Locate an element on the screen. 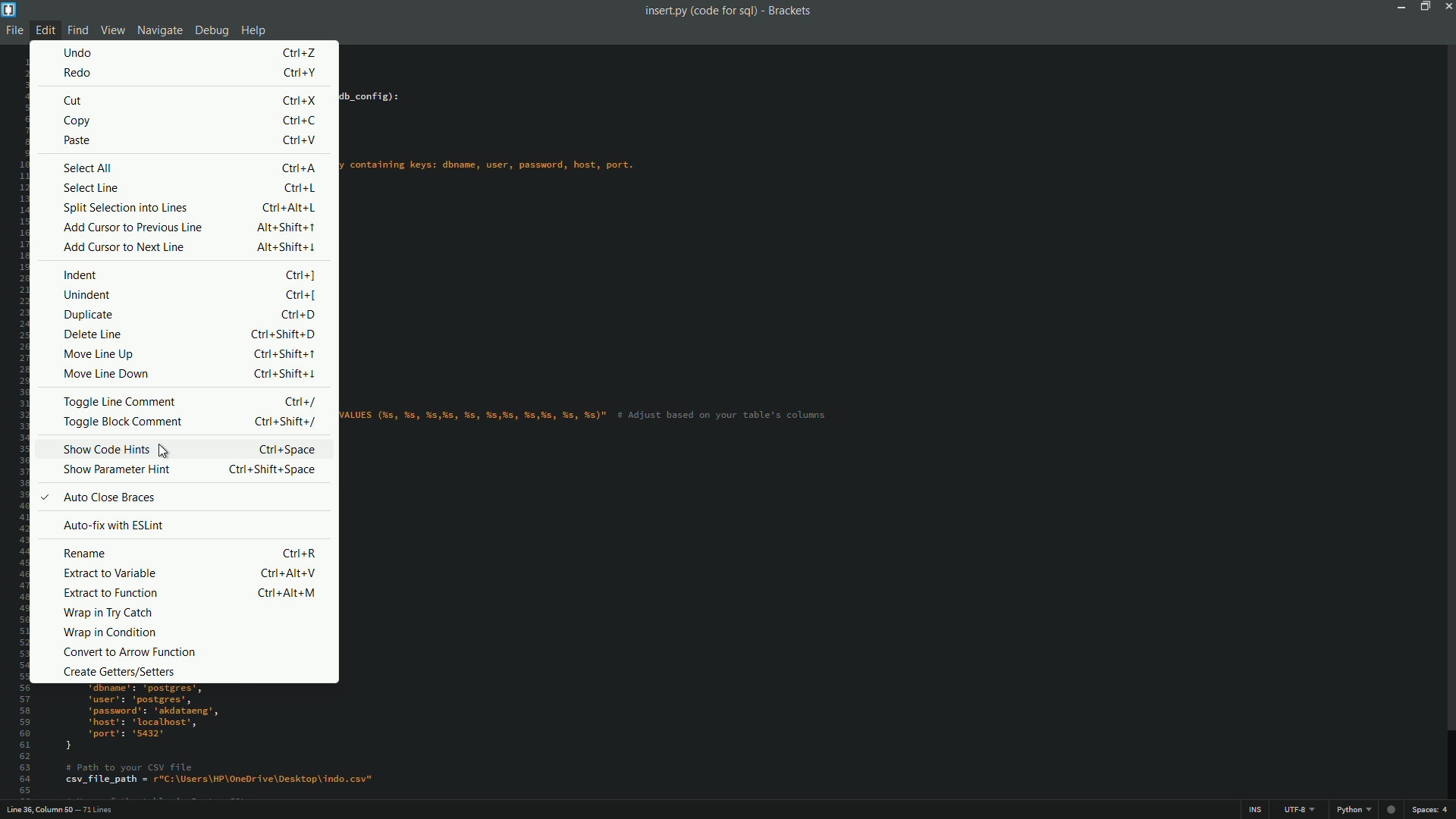 This screenshot has height=819, width=1456. toggle line comment is located at coordinates (121, 400).